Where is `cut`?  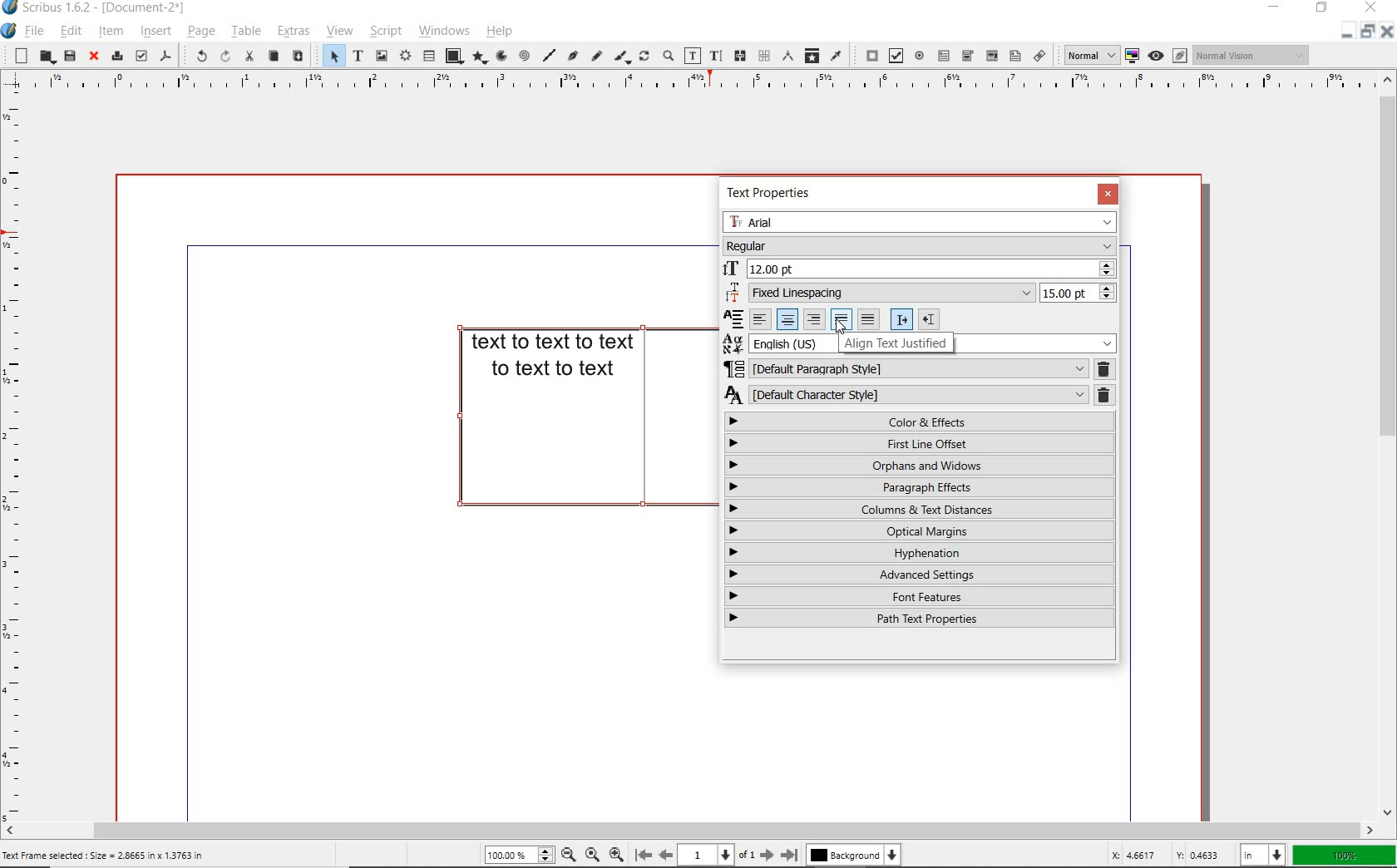 cut is located at coordinates (247, 57).